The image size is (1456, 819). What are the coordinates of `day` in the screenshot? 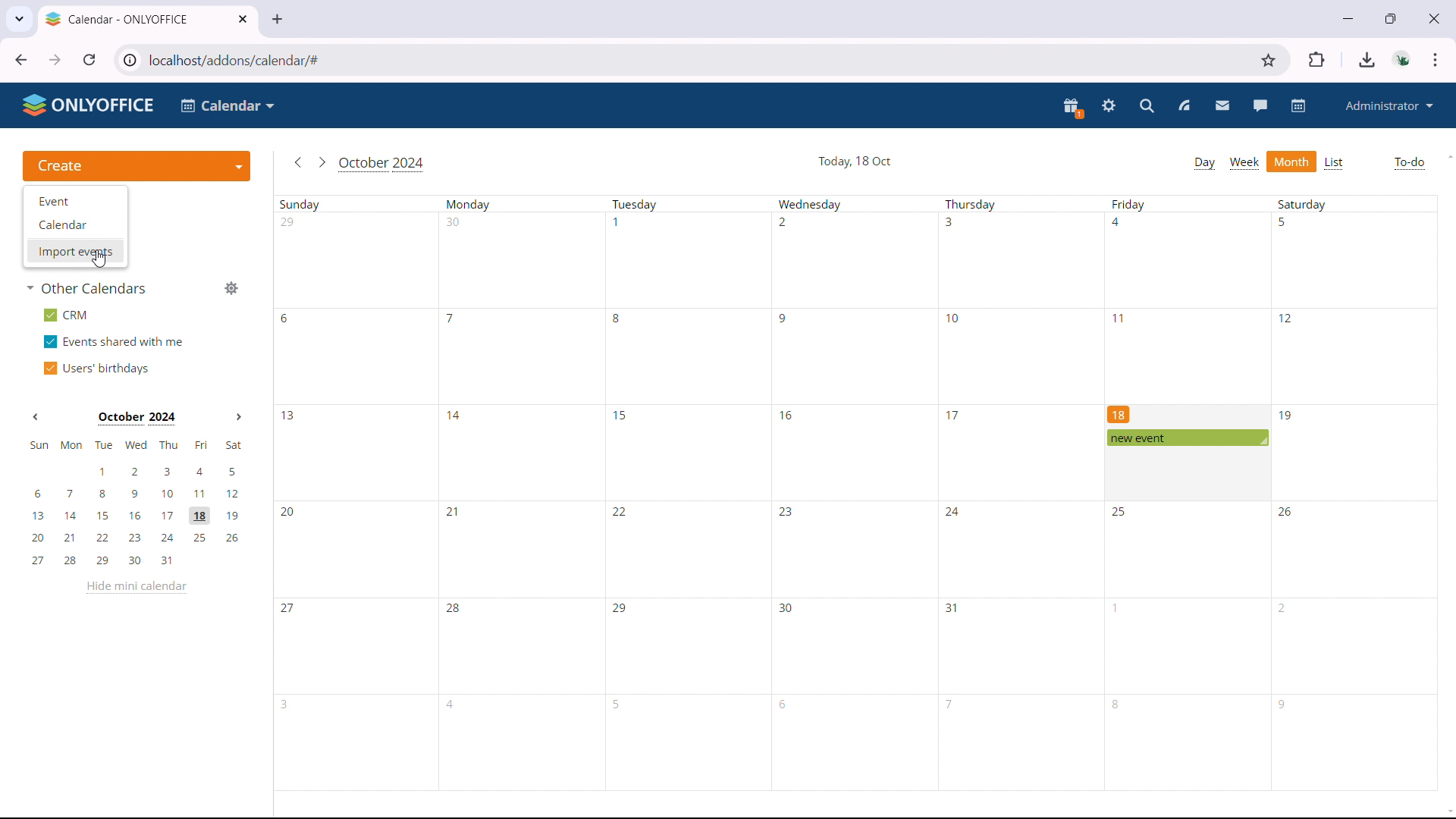 It's located at (1204, 163).